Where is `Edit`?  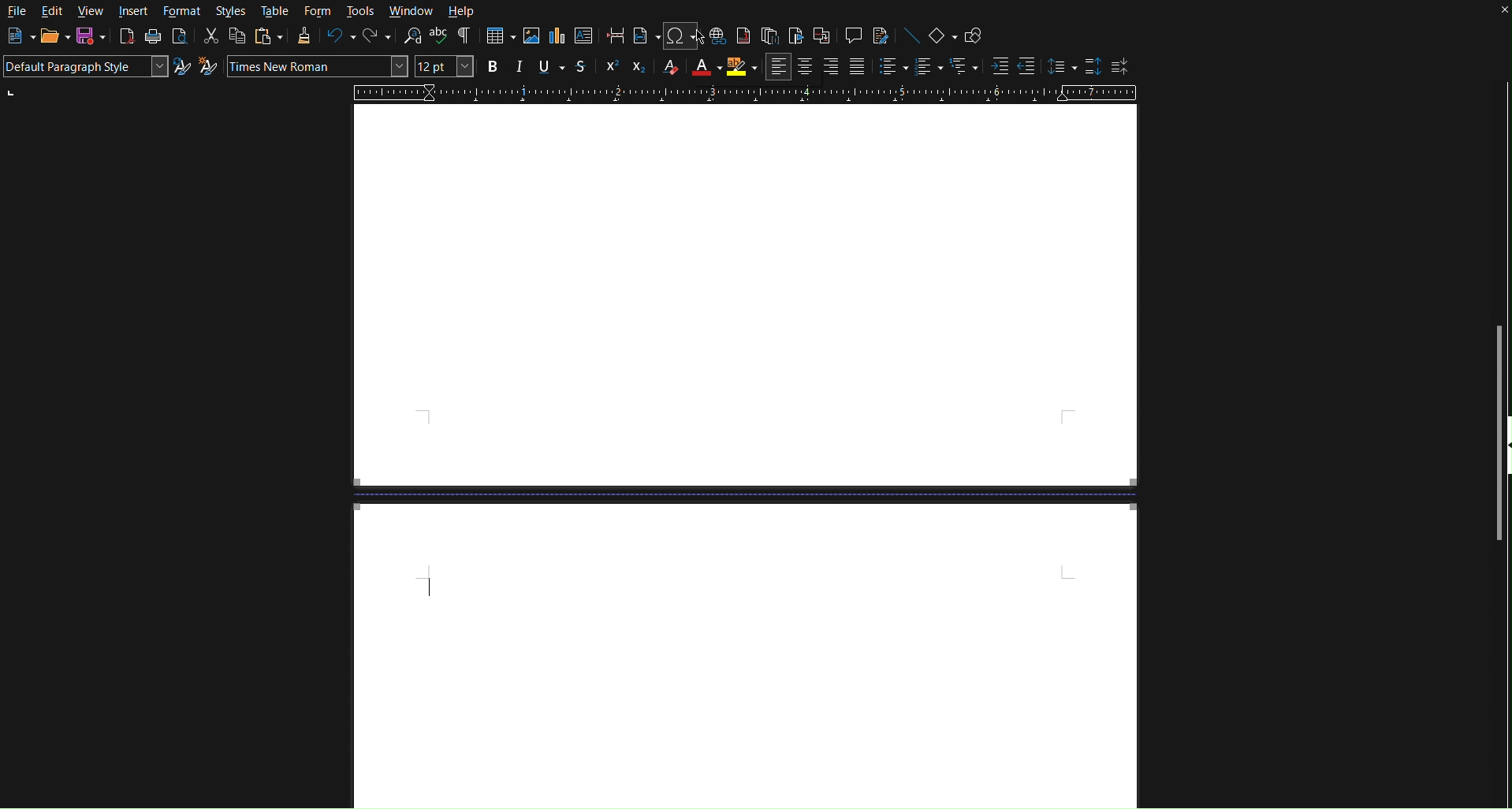
Edit is located at coordinates (51, 12).